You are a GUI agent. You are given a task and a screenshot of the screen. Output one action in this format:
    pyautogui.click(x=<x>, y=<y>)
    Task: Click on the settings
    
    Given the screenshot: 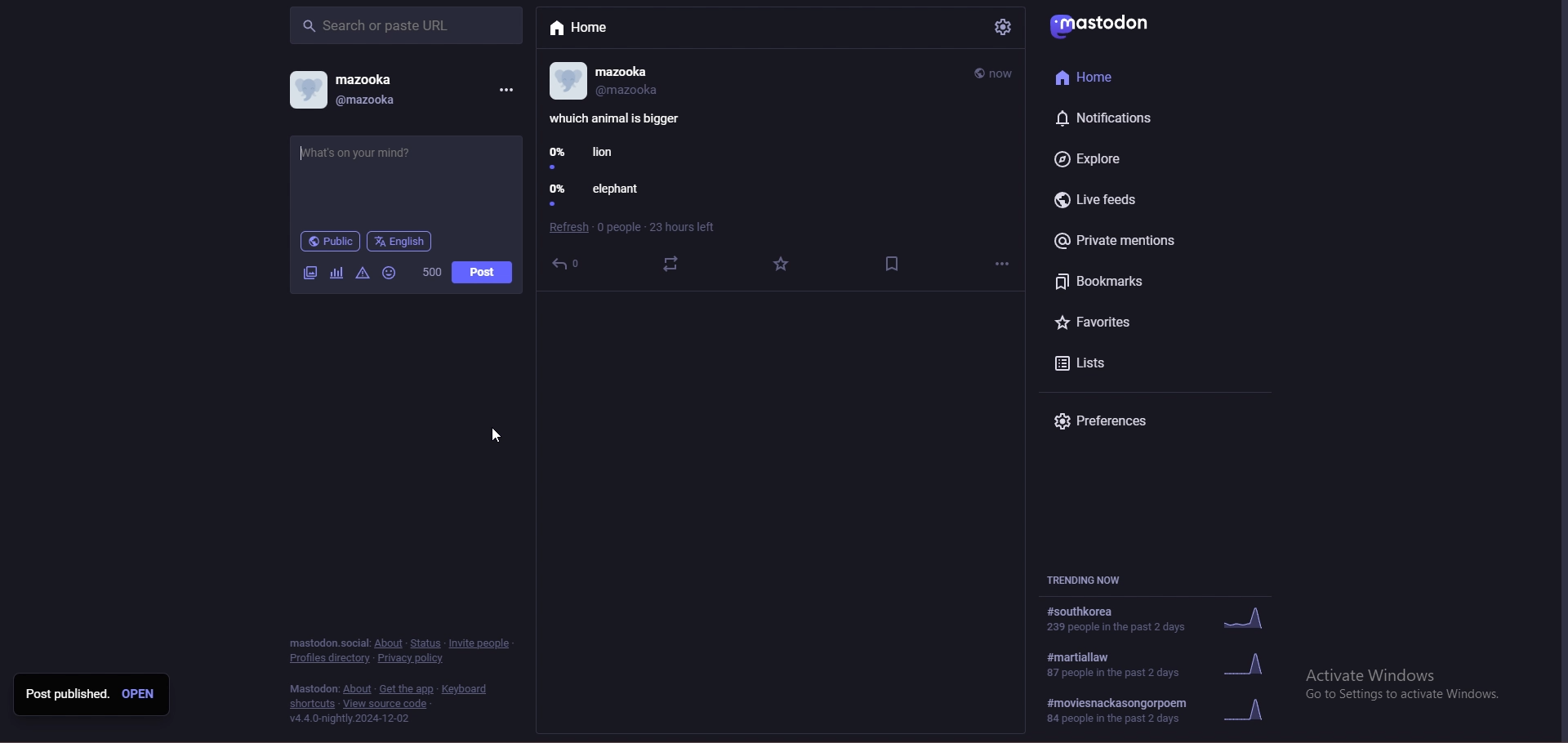 What is the action you would take?
    pyautogui.click(x=1001, y=27)
    